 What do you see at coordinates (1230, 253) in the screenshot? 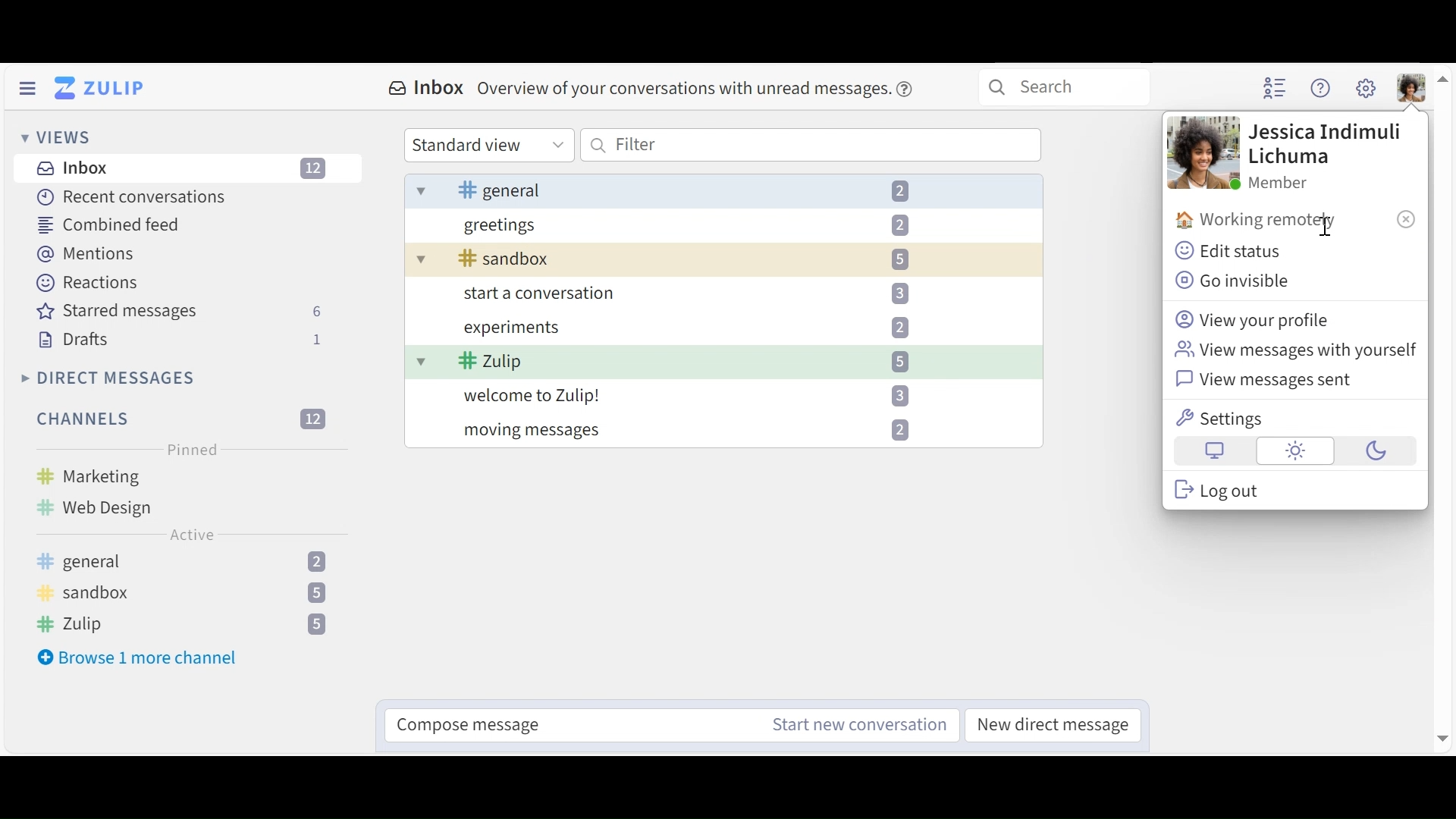
I see `Edit Status` at bounding box center [1230, 253].